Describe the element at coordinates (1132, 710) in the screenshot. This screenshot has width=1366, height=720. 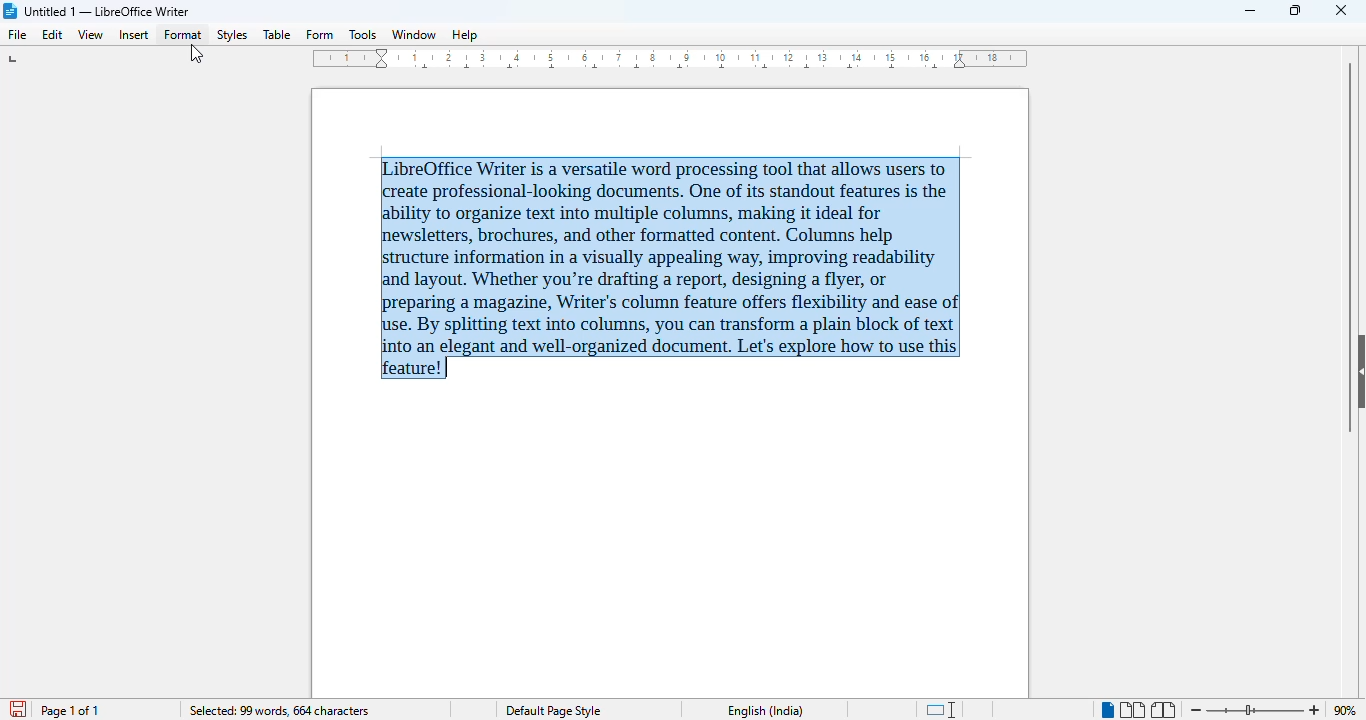
I see `multi-page view` at that location.